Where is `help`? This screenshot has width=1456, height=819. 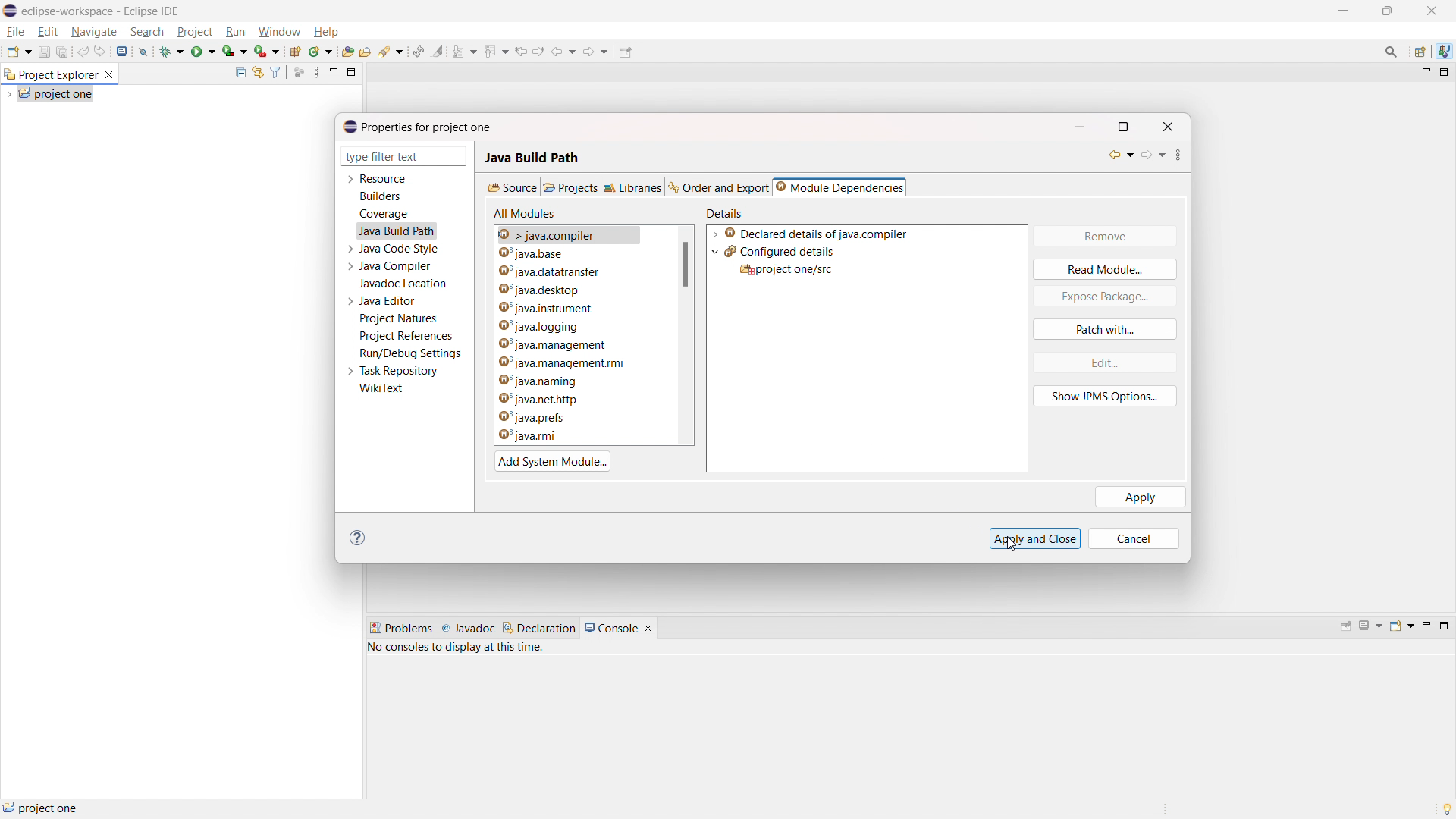 help is located at coordinates (361, 538).